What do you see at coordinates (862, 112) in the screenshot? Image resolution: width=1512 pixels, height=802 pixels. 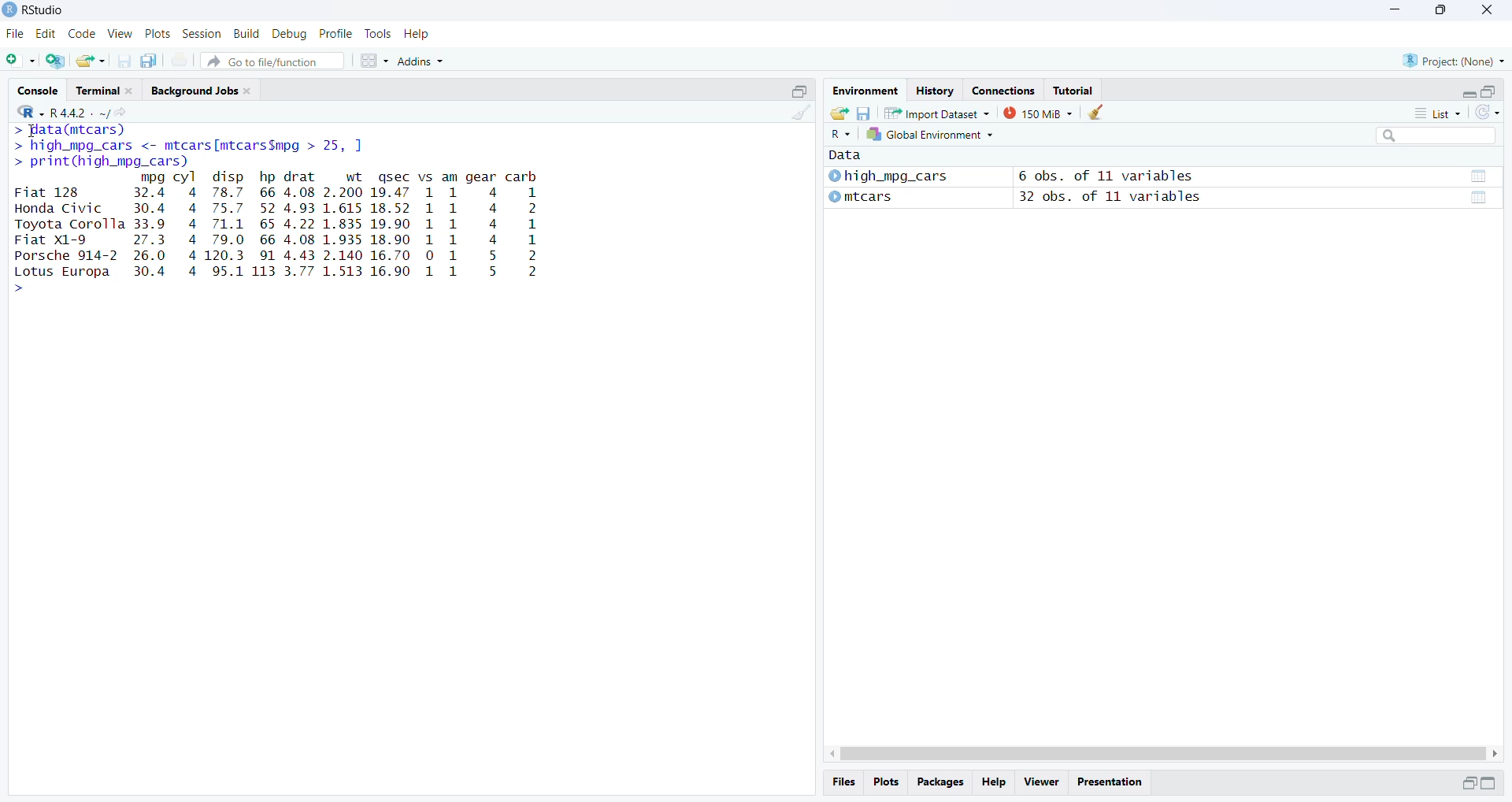 I see `save` at bounding box center [862, 112].